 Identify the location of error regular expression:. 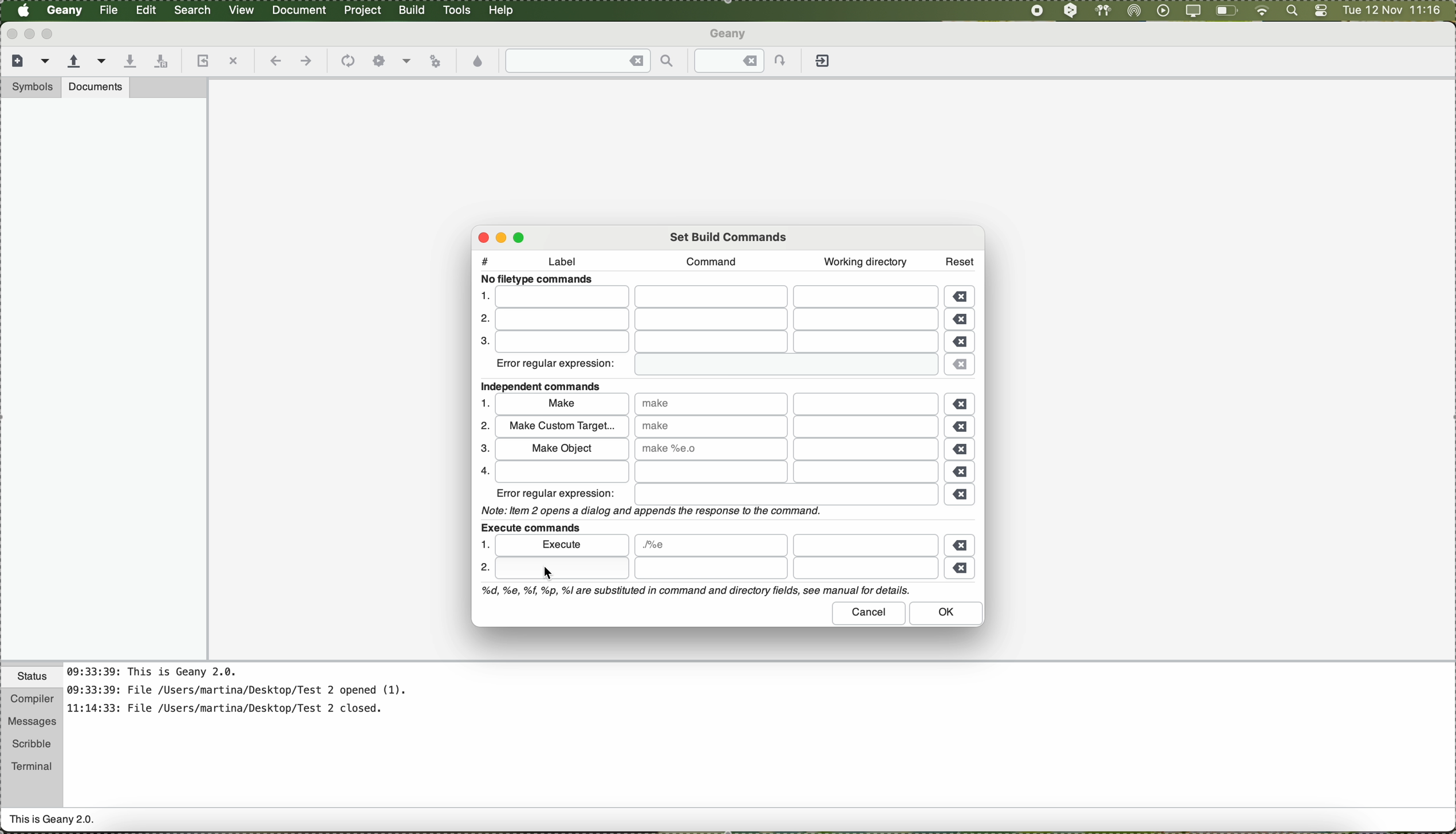
(557, 493).